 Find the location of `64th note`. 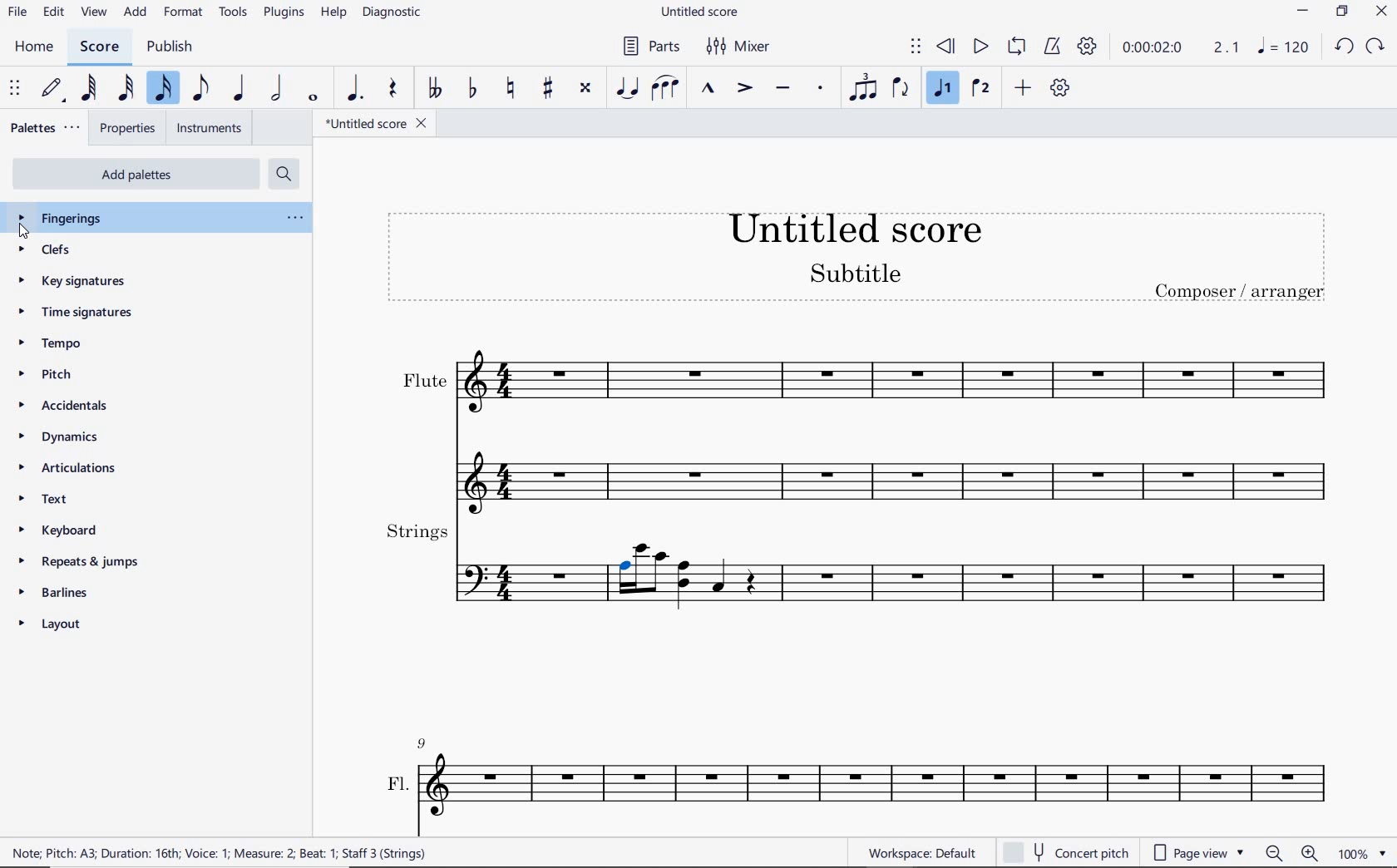

64th note is located at coordinates (91, 86).